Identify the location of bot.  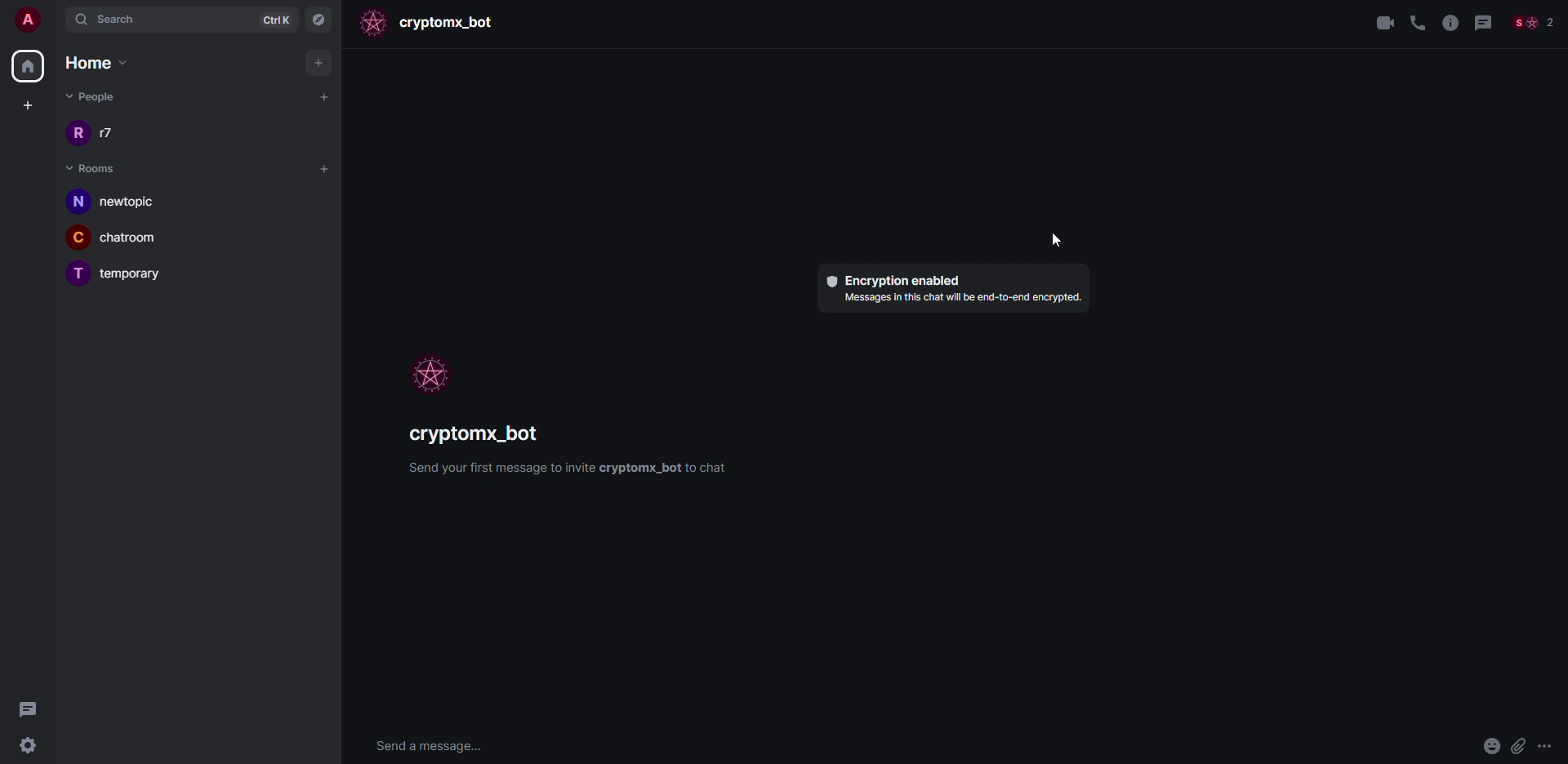
(475, 433).